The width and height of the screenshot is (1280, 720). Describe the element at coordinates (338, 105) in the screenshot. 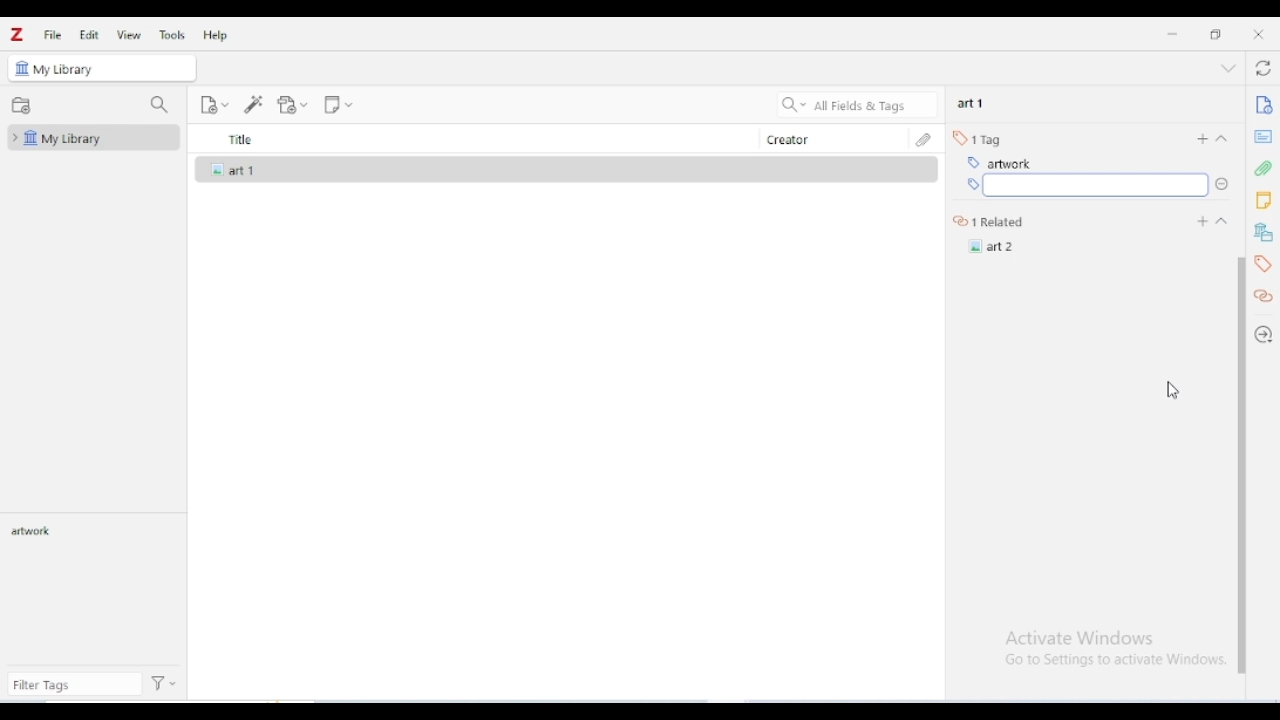

I see `new note` at that location.